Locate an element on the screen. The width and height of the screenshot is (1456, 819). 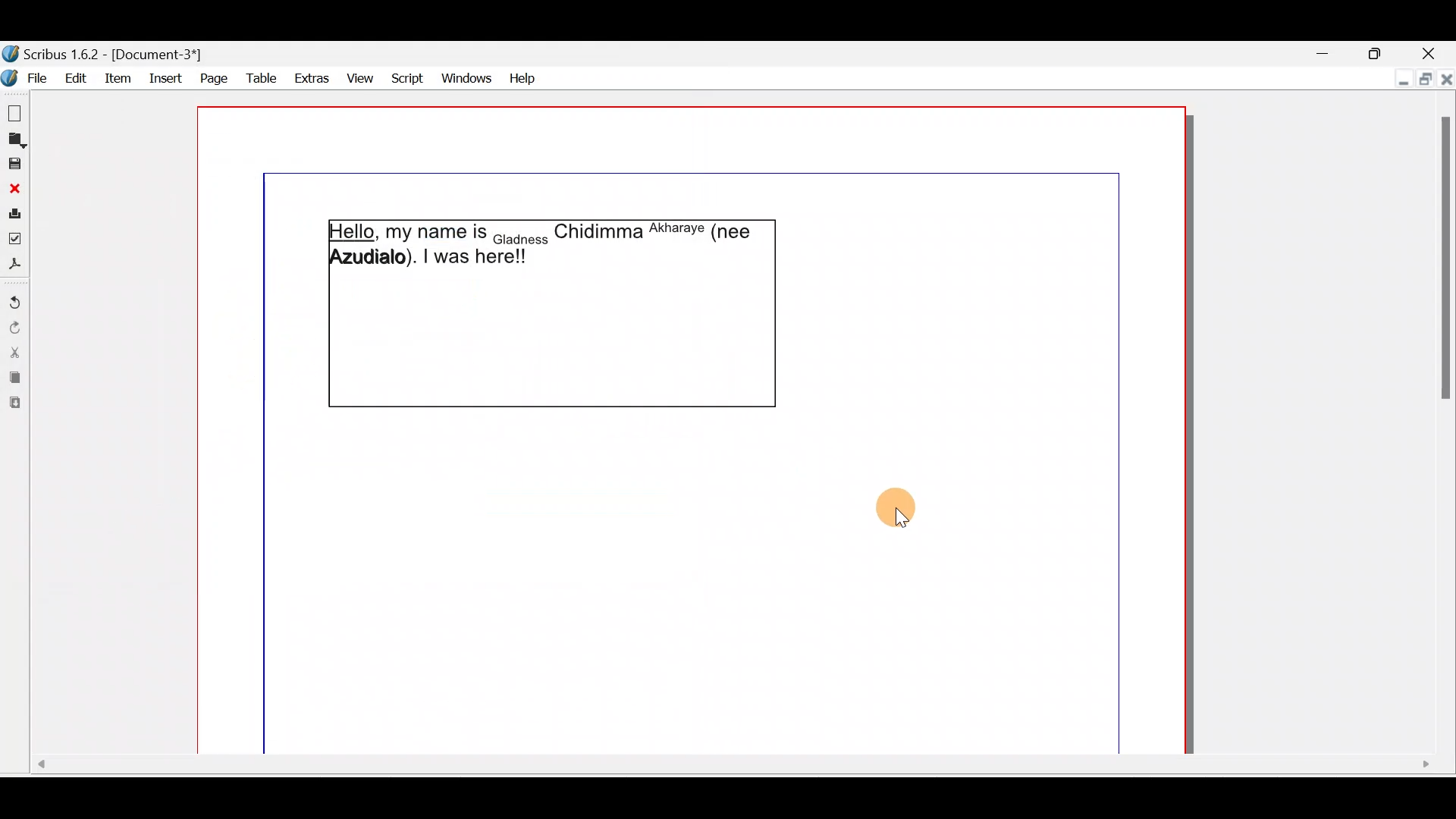
Scroll bar is located at coordinates (1440, 414).